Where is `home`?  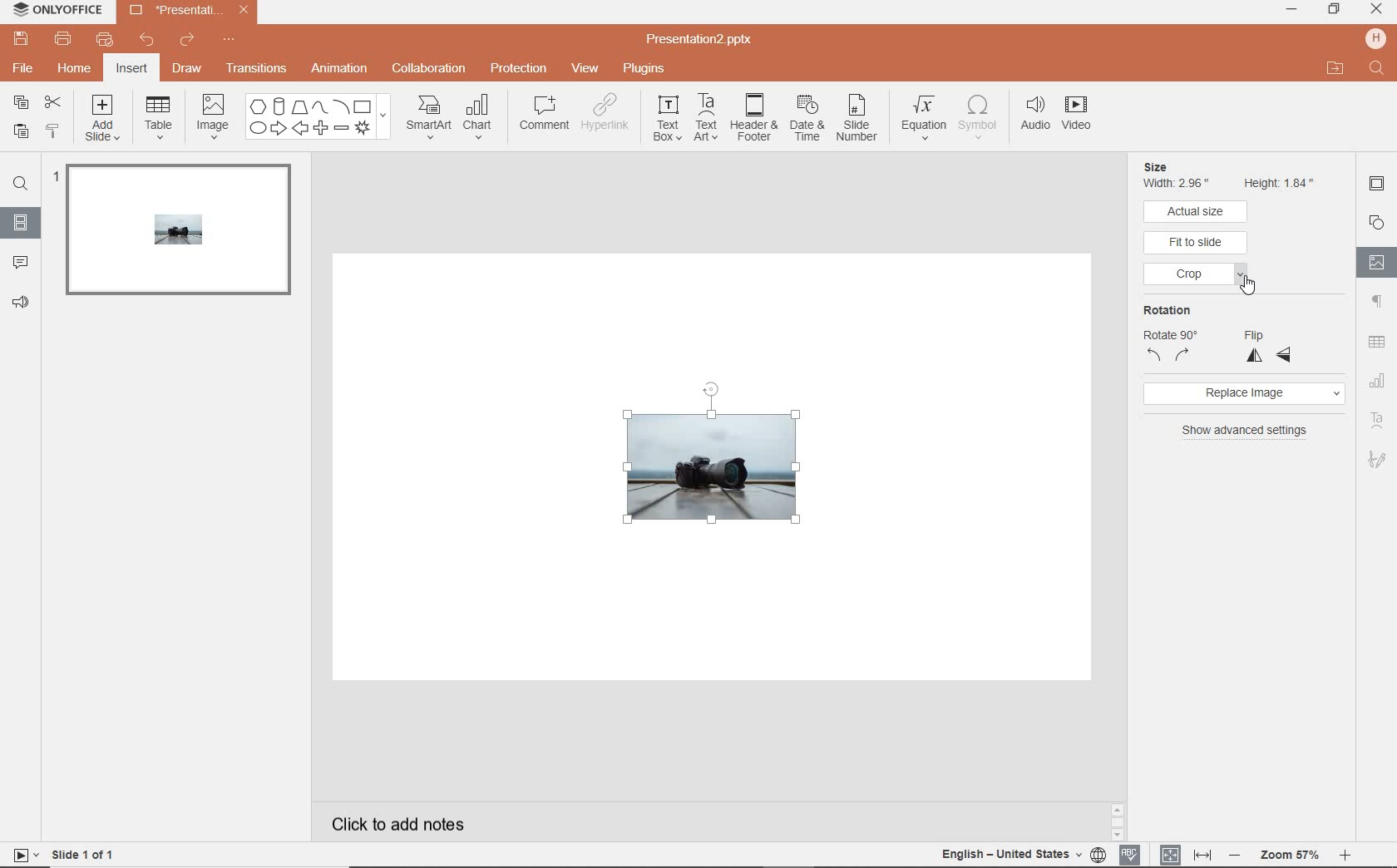 home is located at coordinates (76, 68).